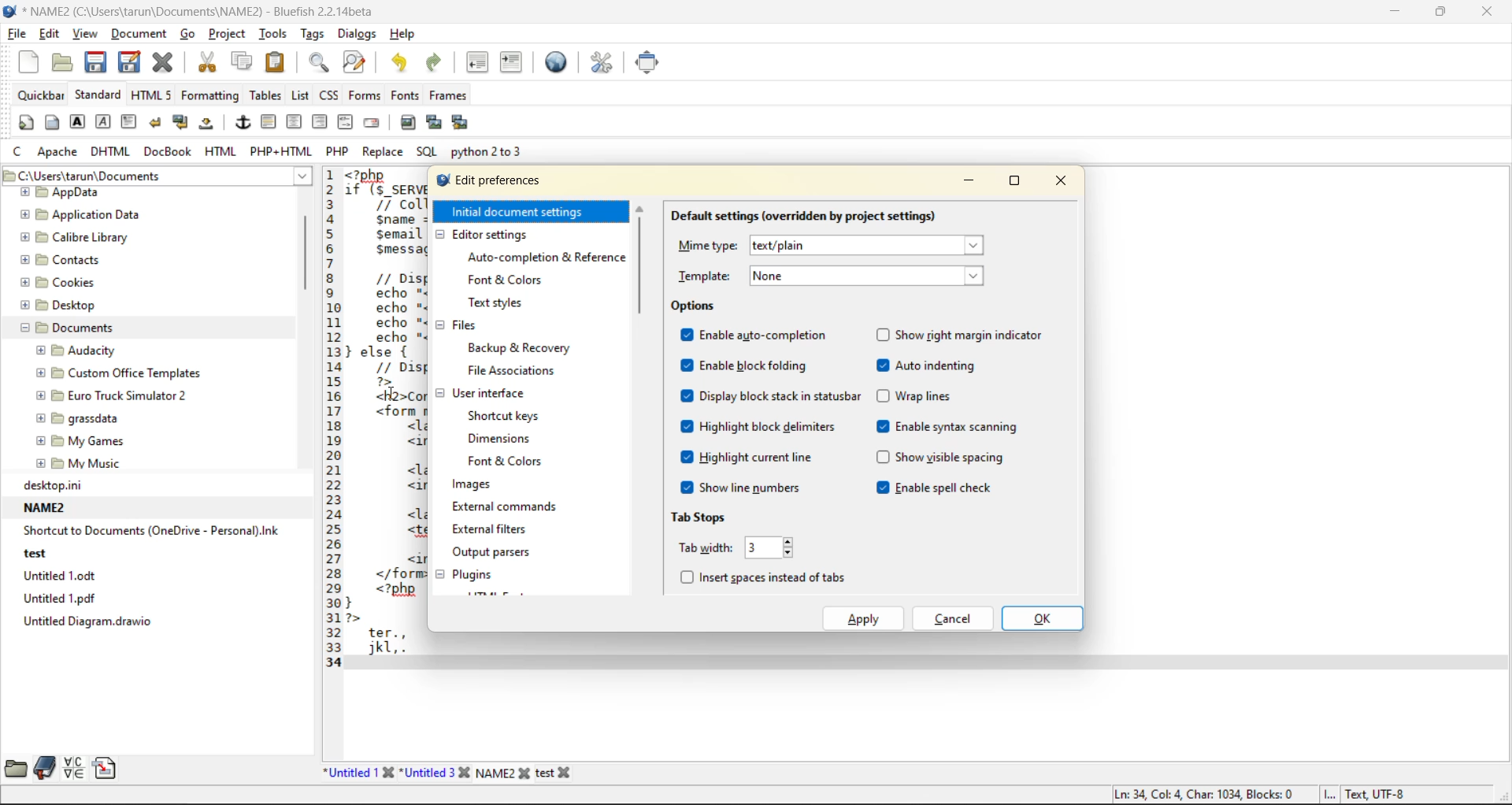 Image resolution: width=1512 pixels, height=805 pixels. I want to click on show right margin indicator, so click(961, 332).